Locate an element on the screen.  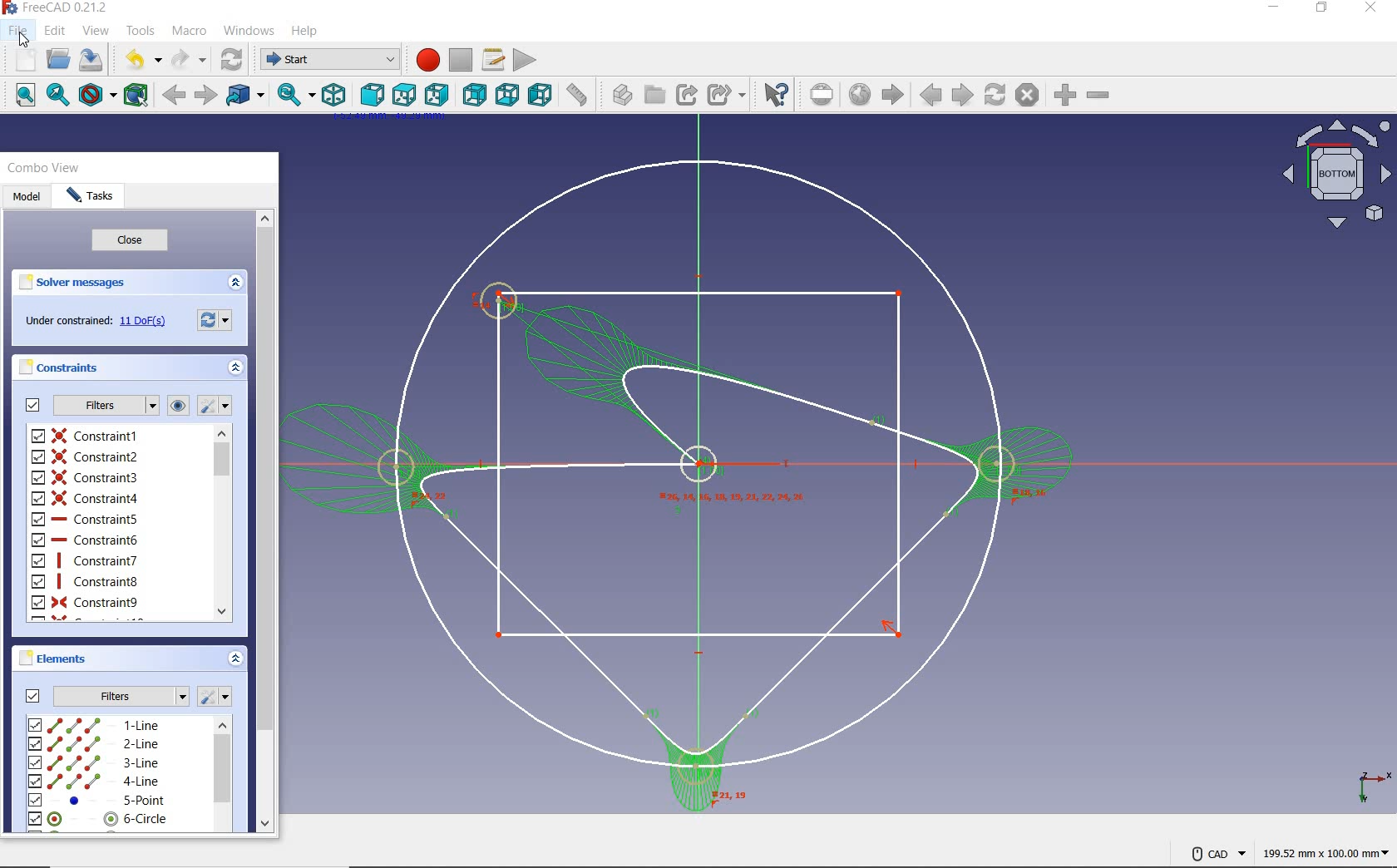
back is located at coordinates (171, 96).